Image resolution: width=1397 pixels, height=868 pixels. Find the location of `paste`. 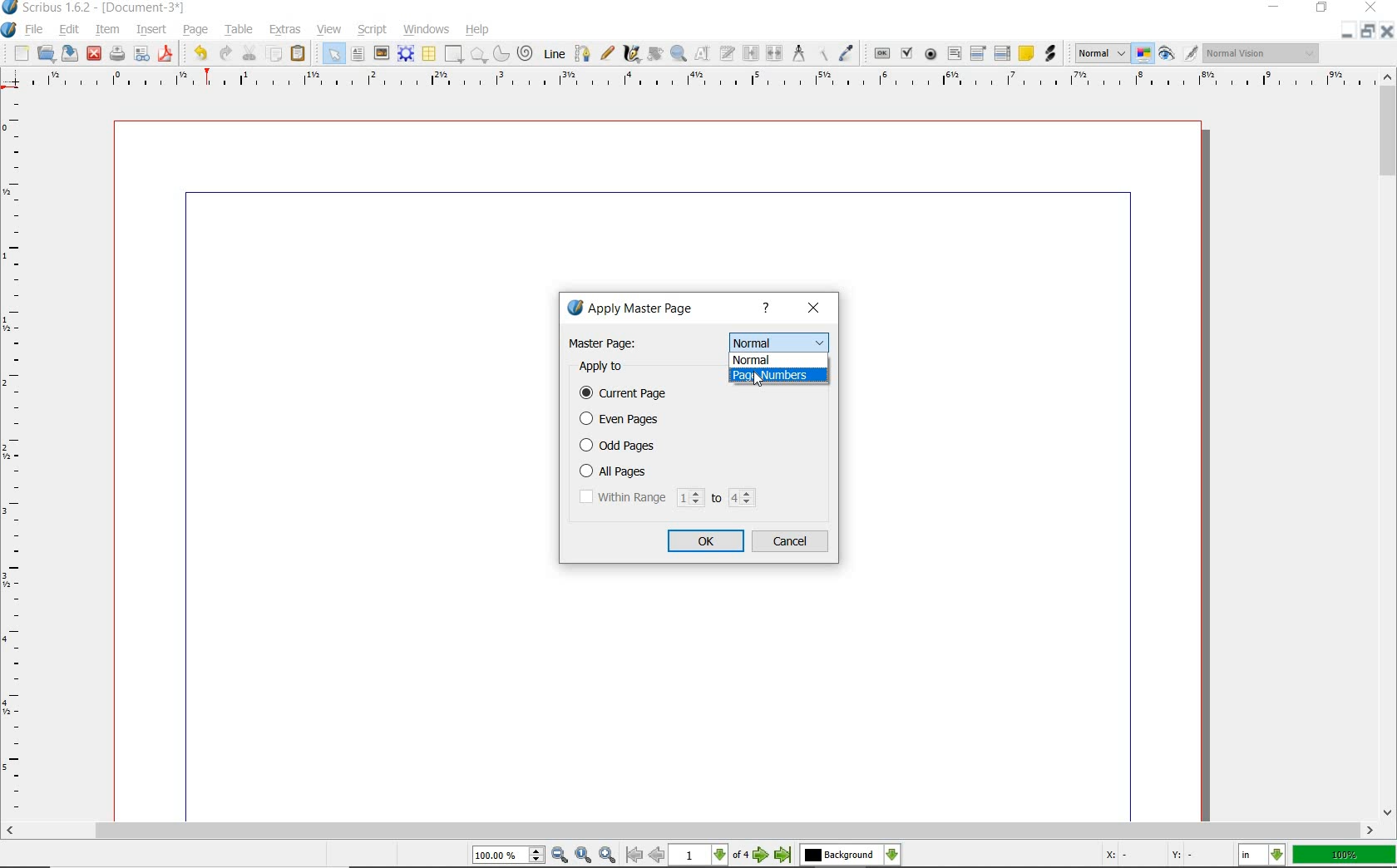

paste is located at coordinates (298, 53).